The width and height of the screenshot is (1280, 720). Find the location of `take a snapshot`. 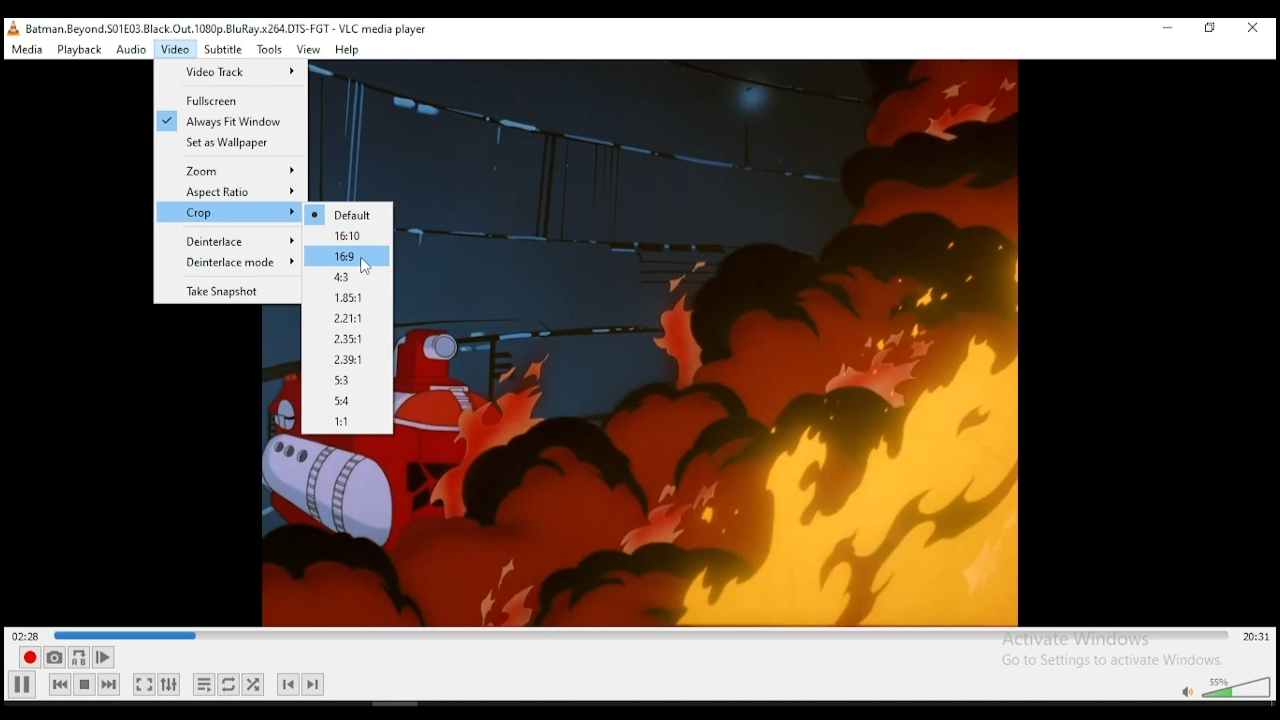

take a snapshot is located at coordinates (54, 657).